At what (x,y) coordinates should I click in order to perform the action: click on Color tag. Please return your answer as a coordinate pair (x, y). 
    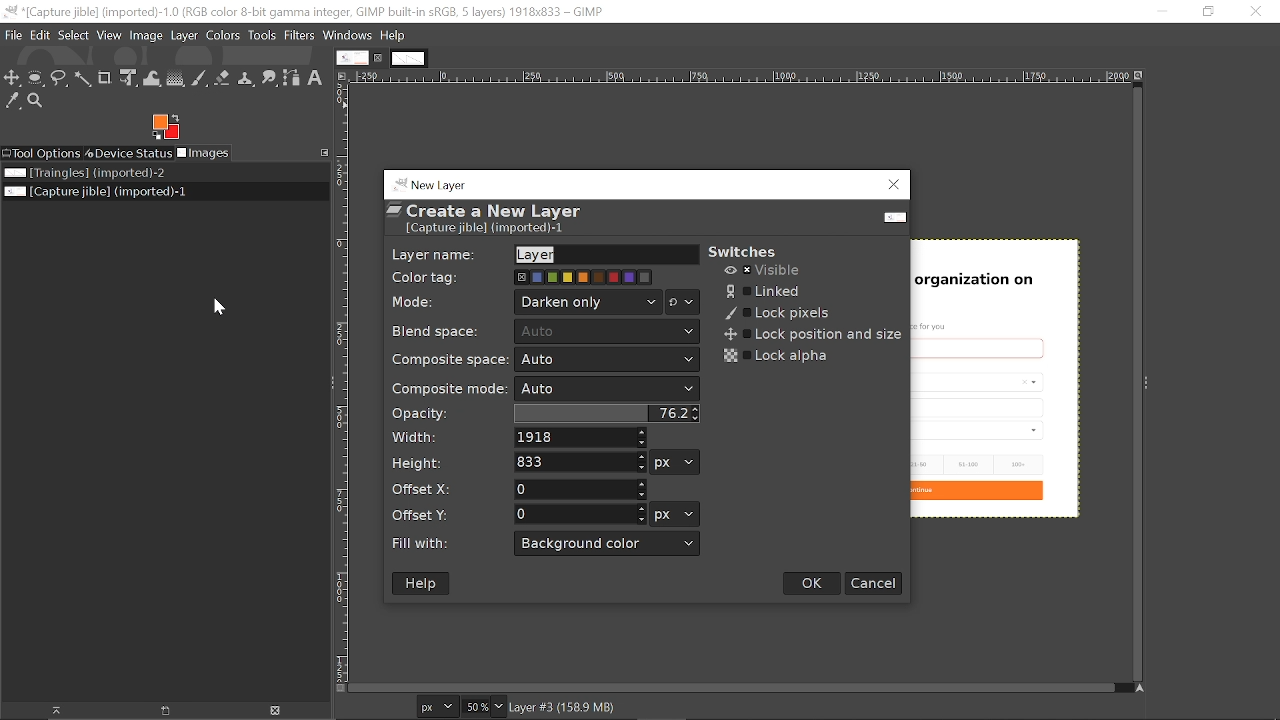
    Looking at the image, I should click on (584, 277).